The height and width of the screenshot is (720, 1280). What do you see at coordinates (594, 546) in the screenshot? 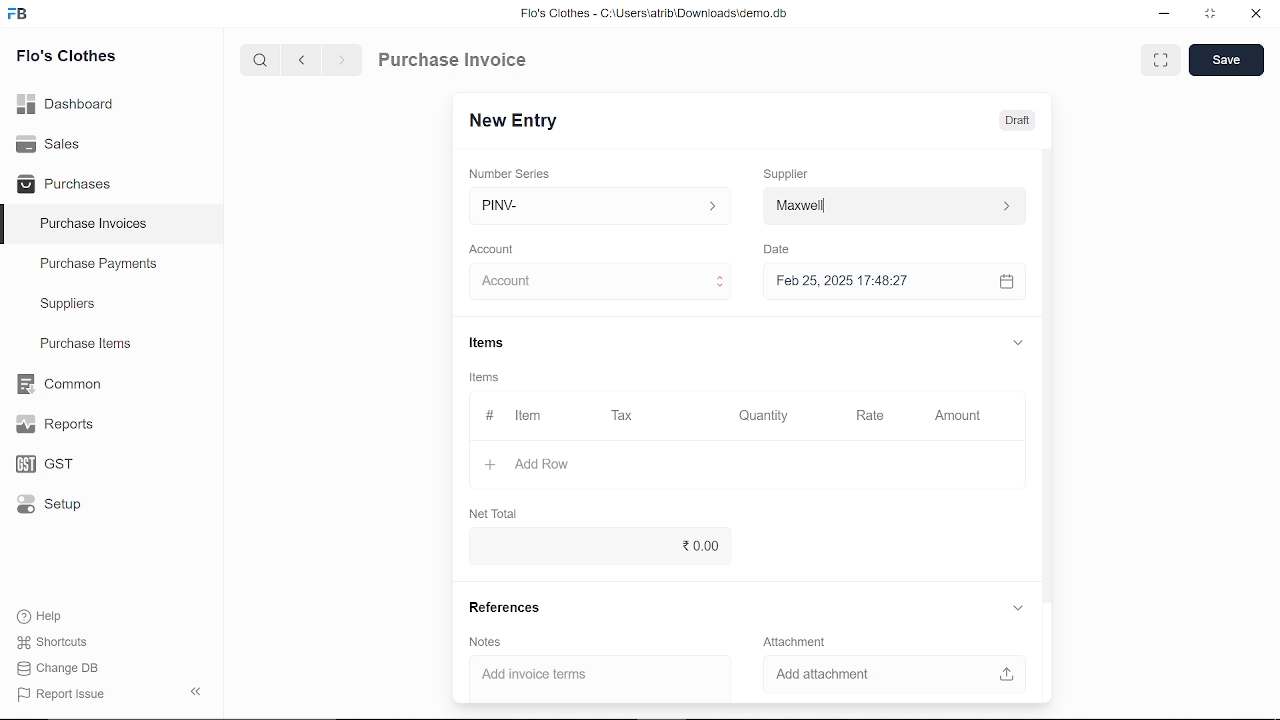
I see `0.00` at bounding box center [594, 546].